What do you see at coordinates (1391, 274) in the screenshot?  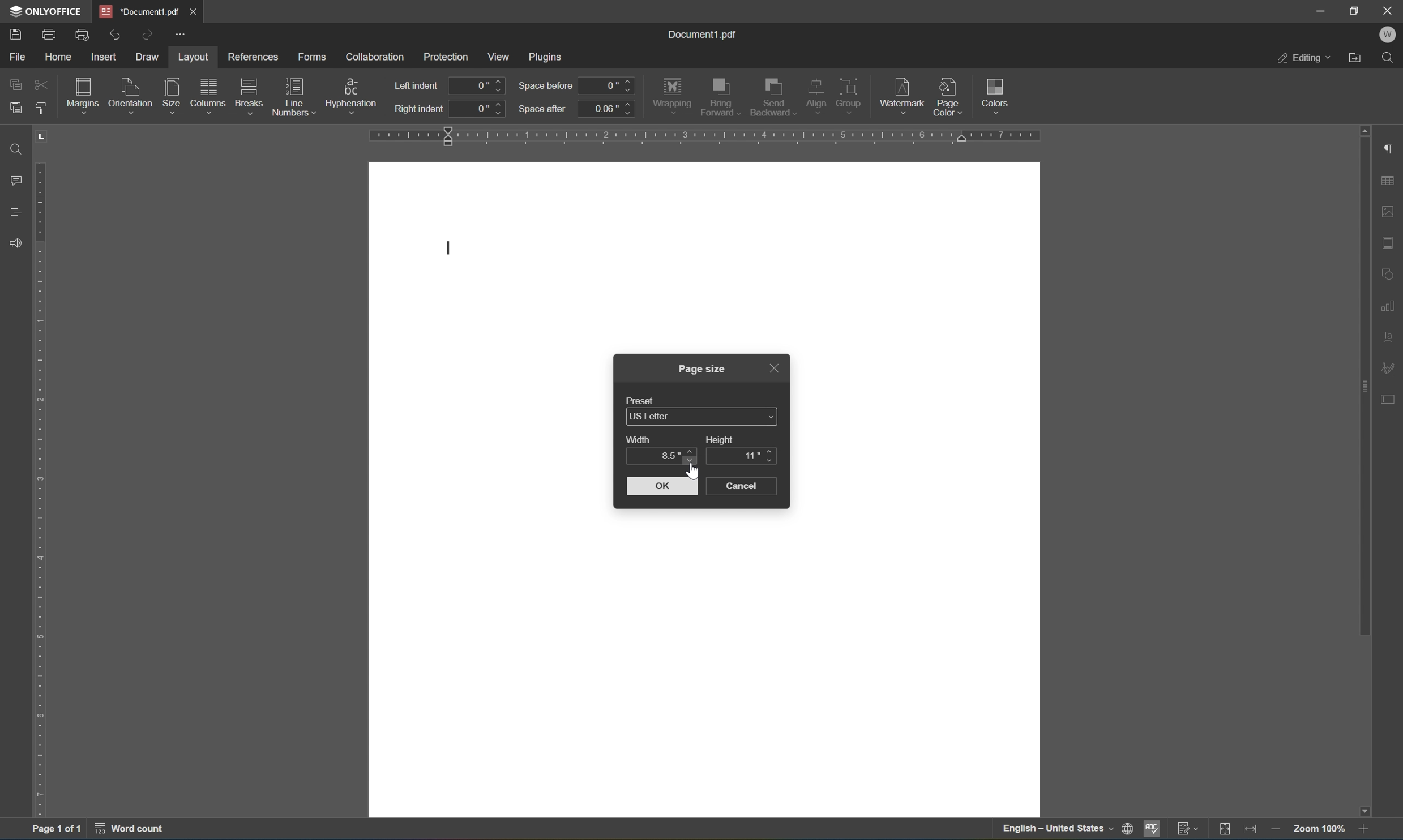 I see `shape settings` at bounding box center [1391, 274].